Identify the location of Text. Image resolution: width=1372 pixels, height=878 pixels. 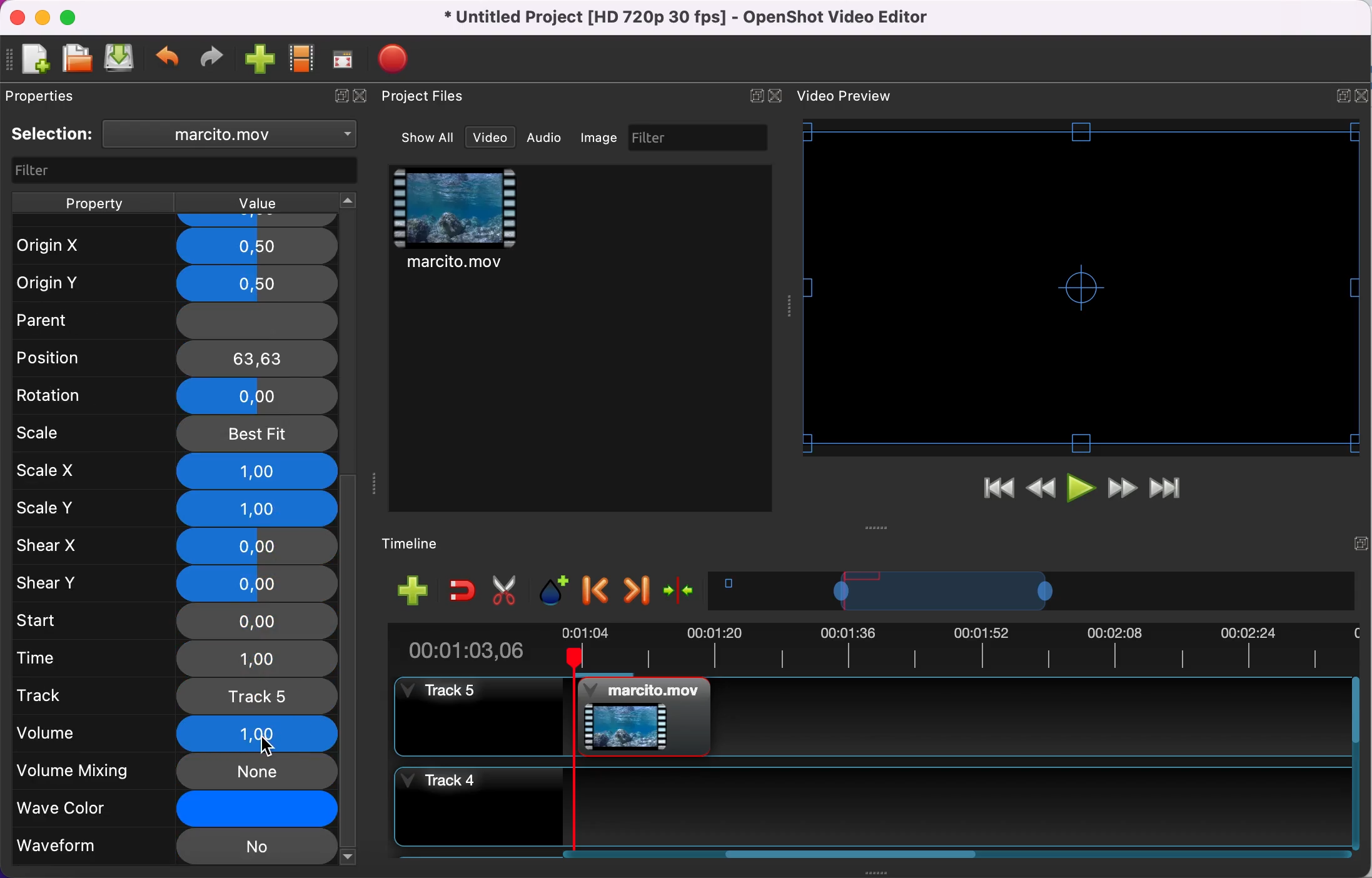
(844, 96).